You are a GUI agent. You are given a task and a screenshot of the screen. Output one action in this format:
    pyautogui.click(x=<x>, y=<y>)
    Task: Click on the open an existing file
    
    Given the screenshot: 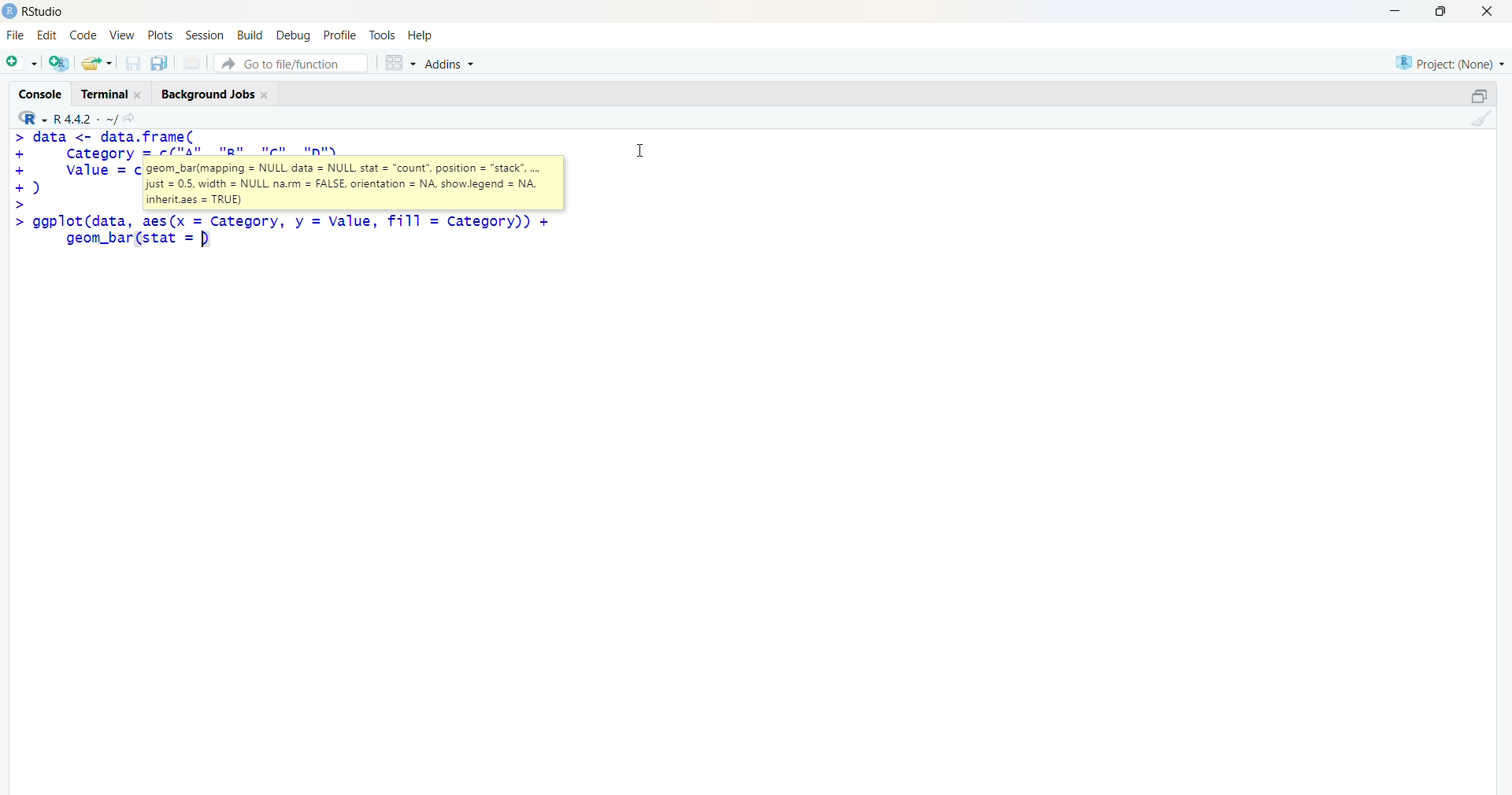 What is the action you would take?
    pyautogui.click(x=96, y=62)
    